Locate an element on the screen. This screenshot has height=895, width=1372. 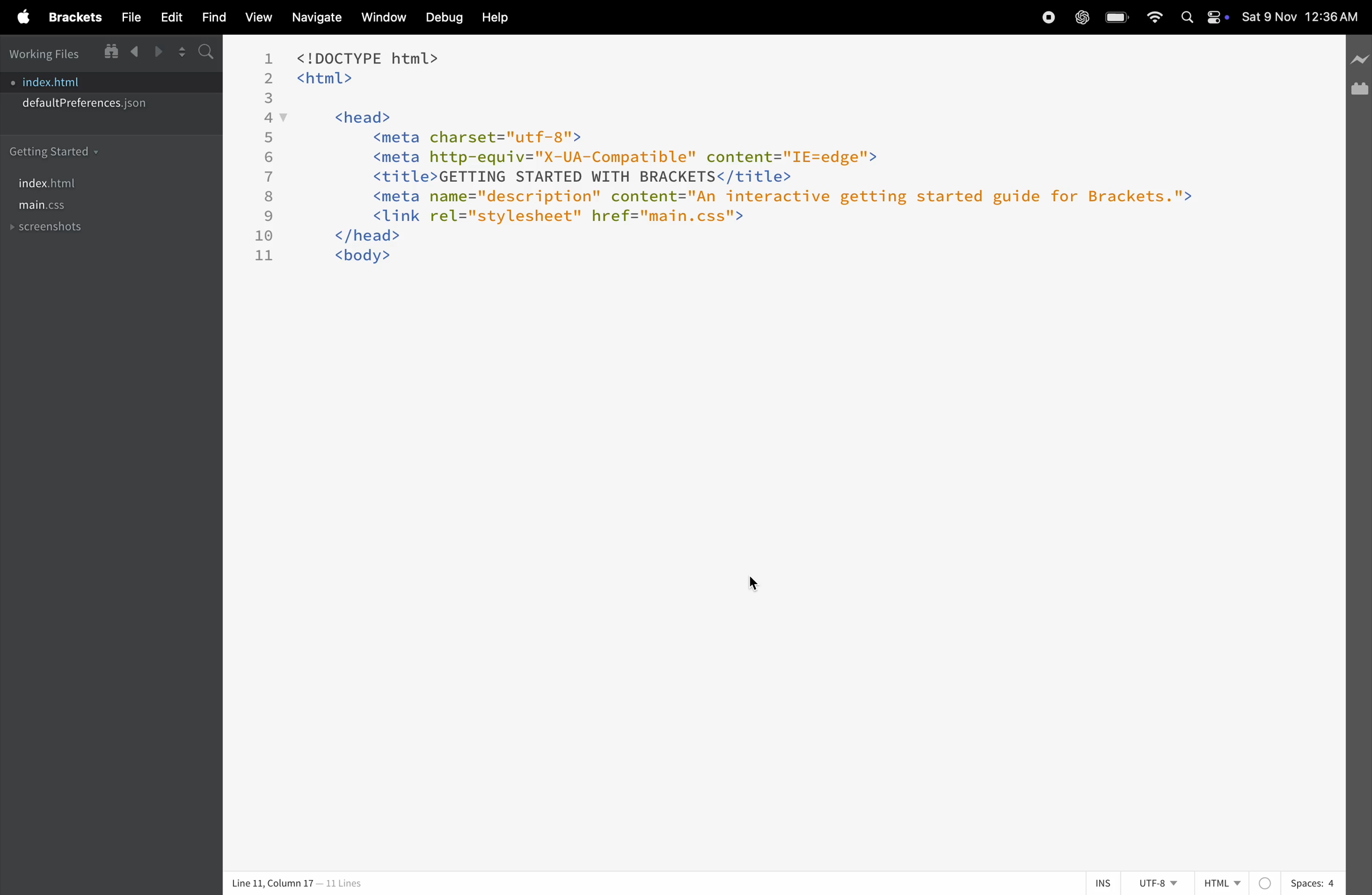
live preview is located at coordinates (111, 53).